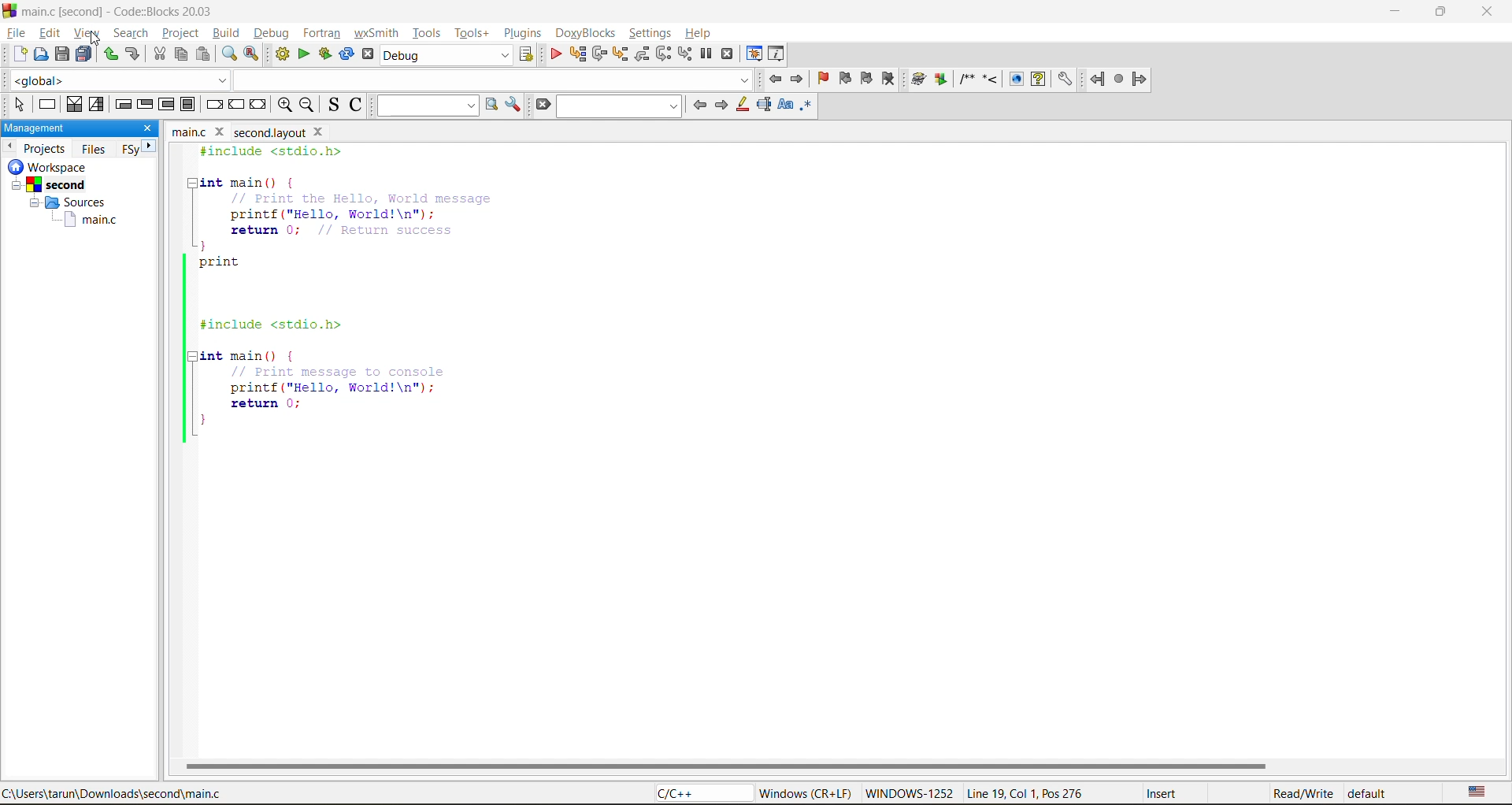 This screenshot has width=1512, height=805. What do you see at coordinates (775, 53) in the screenshot?
I see `various info` at bounding box center [775, 53].